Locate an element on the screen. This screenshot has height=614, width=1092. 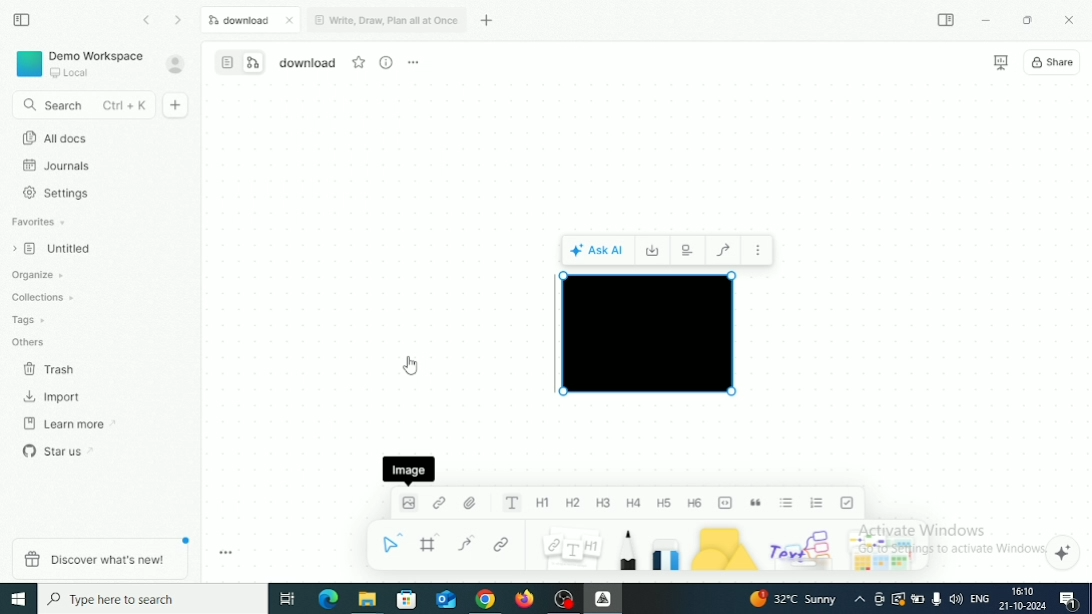
Language is located at coordinates (980, 597).